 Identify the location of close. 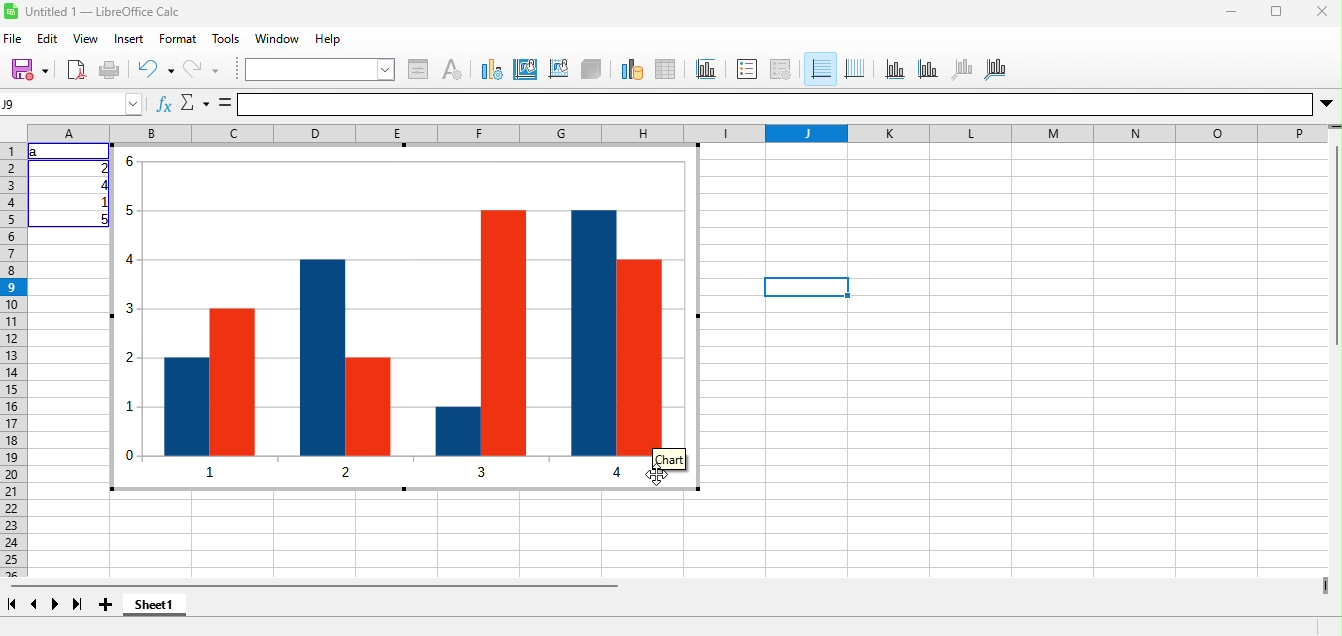
(1322, 11).